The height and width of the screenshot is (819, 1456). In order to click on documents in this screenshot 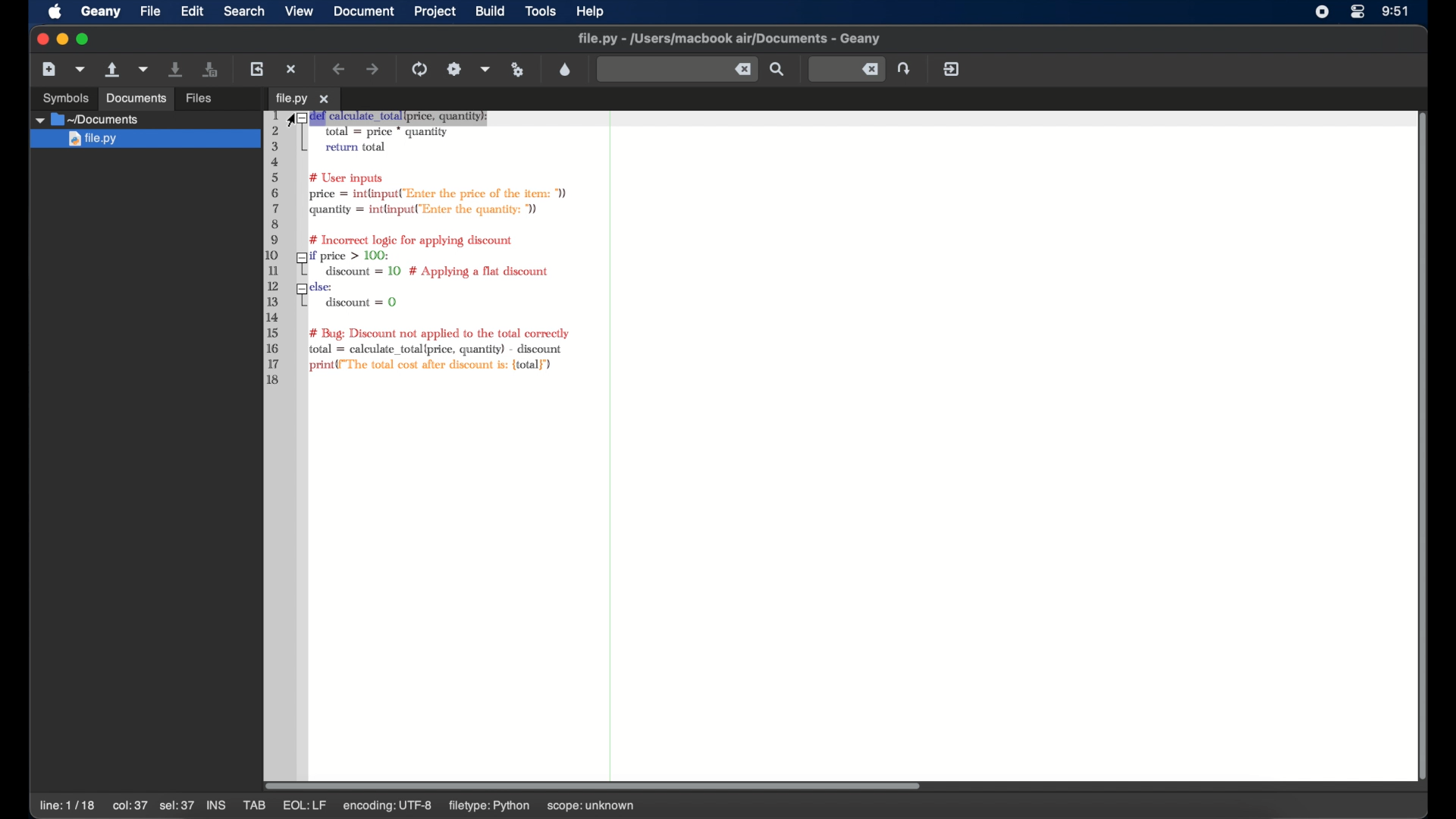, I will do `click(87, 120)`.